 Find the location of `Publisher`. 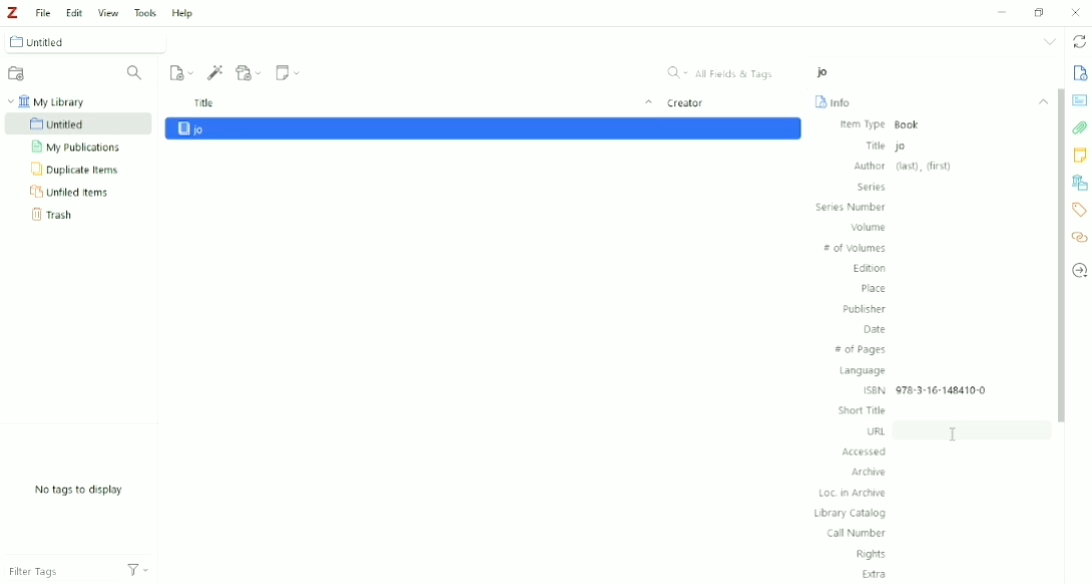

Publisher is located at coordinates (862, 309).